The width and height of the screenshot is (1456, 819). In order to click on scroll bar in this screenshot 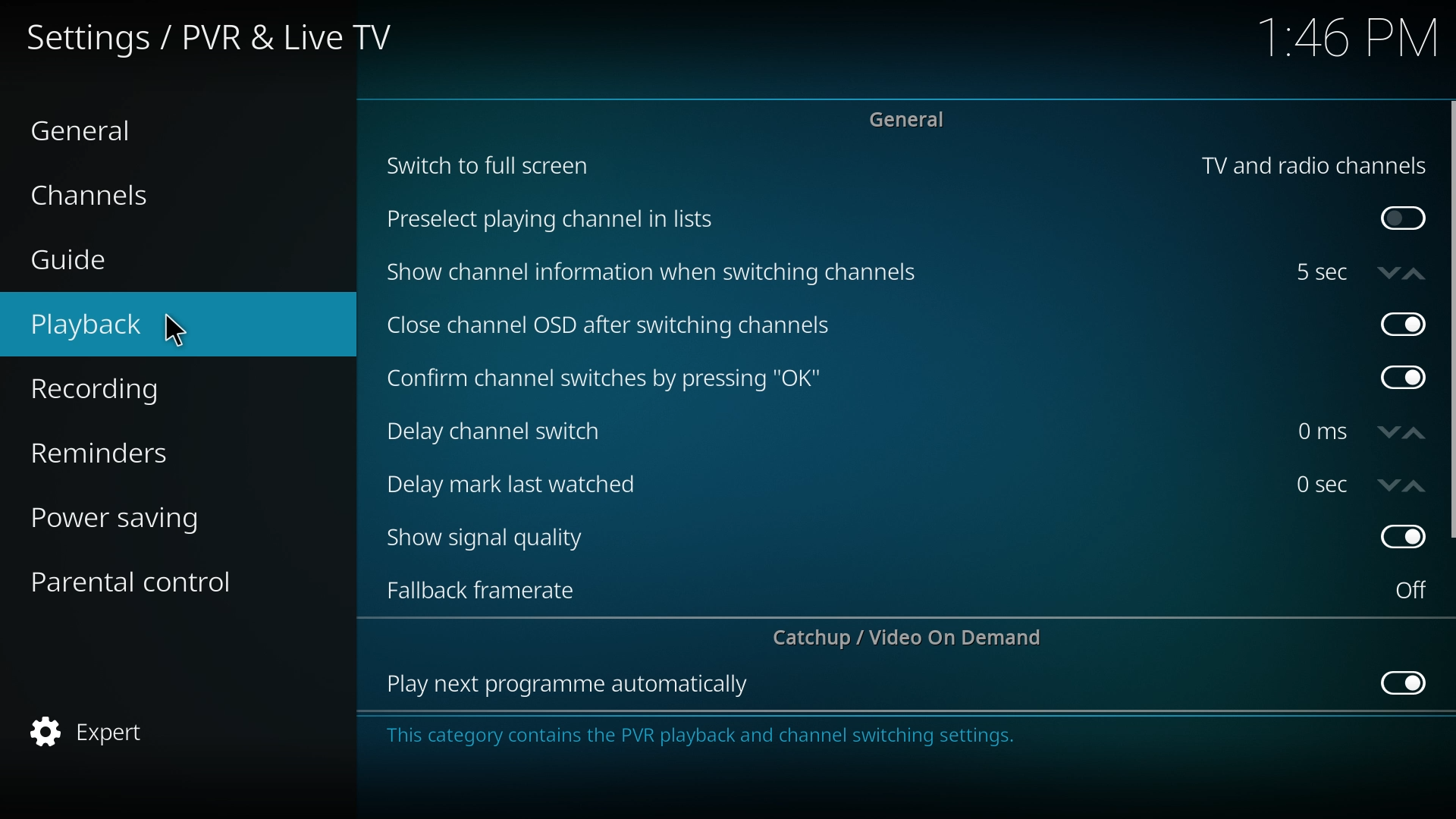, I will do `click(1450, 320)`.